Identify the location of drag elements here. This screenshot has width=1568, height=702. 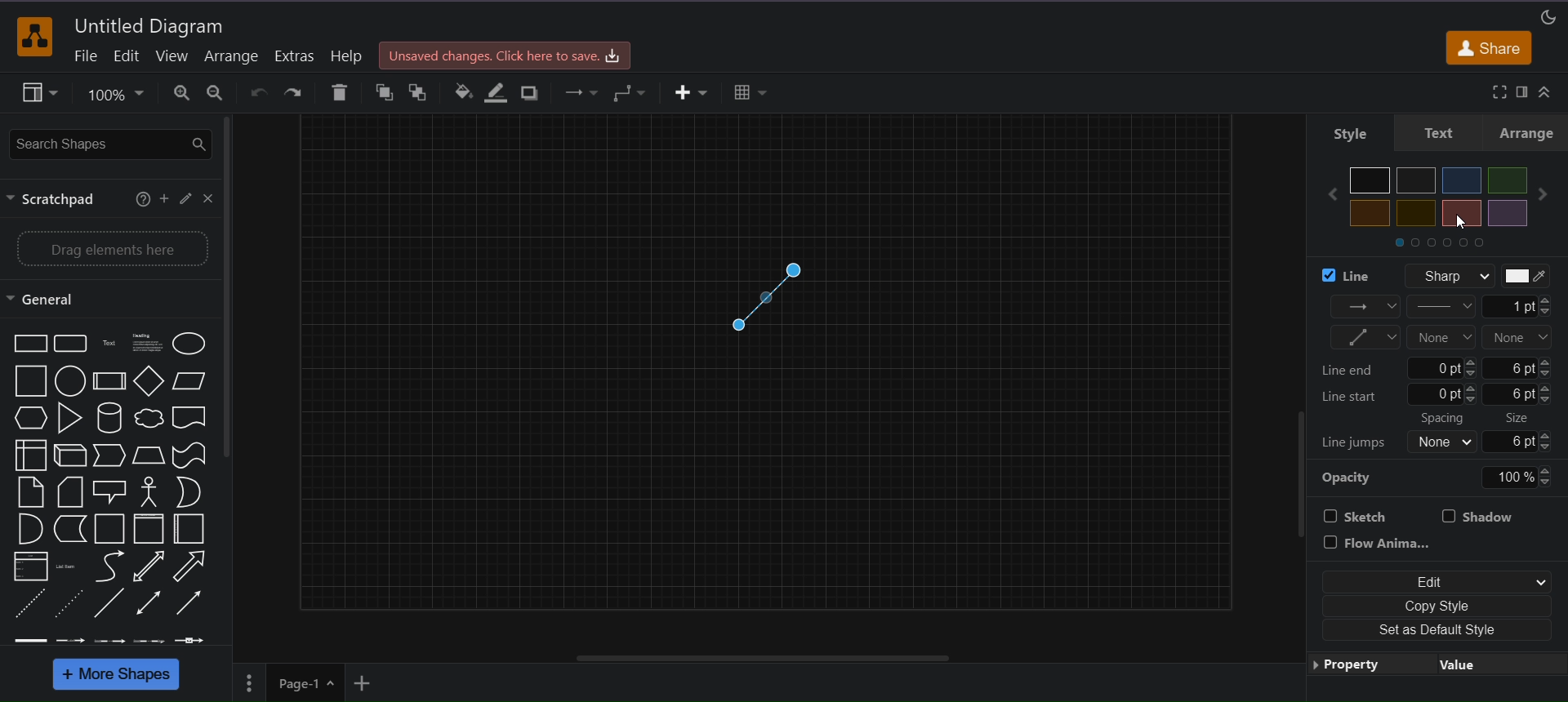
(114, 249).